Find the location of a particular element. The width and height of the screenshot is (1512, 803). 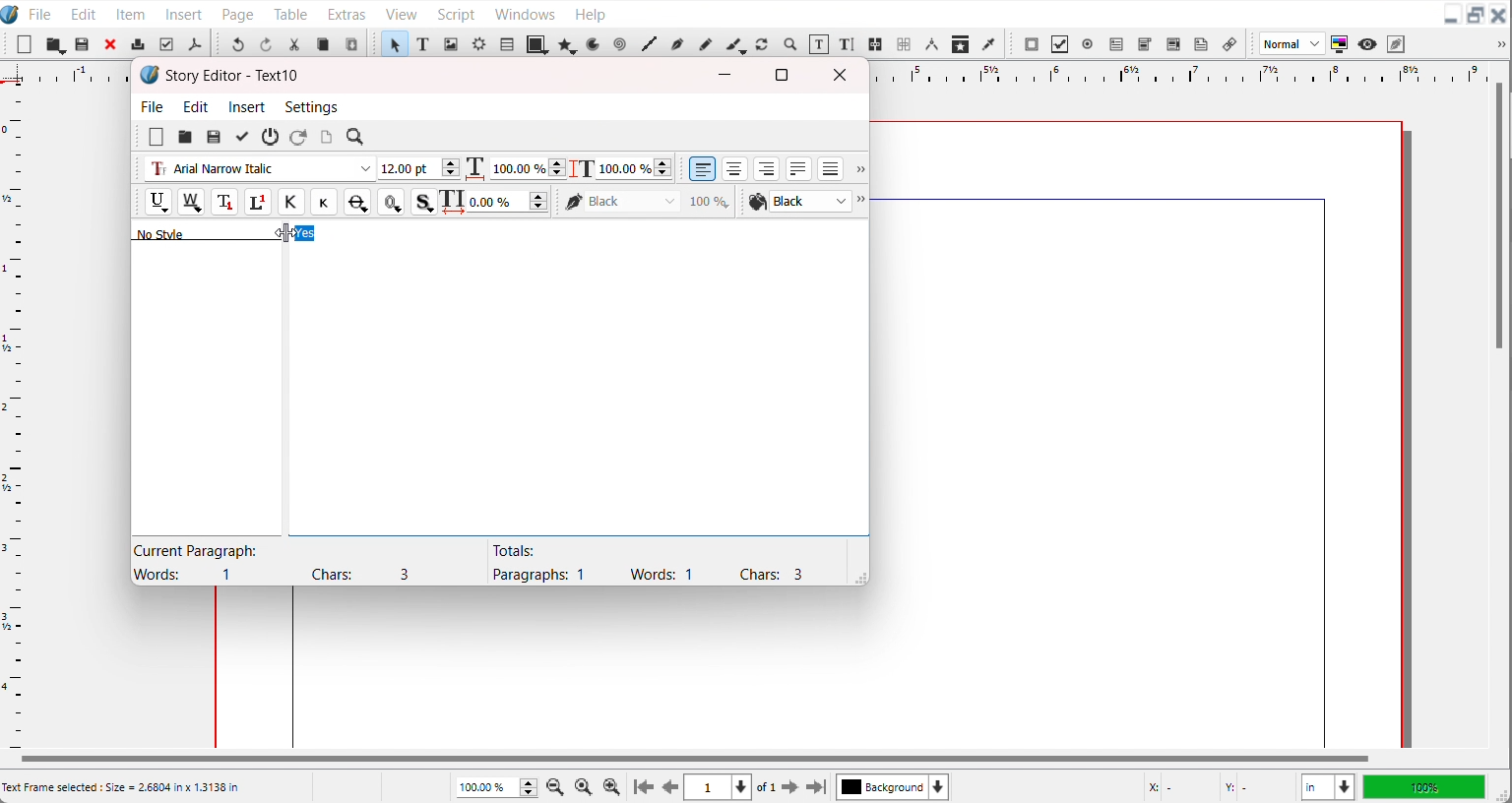

Subscript is located at coordinates (224, 202).